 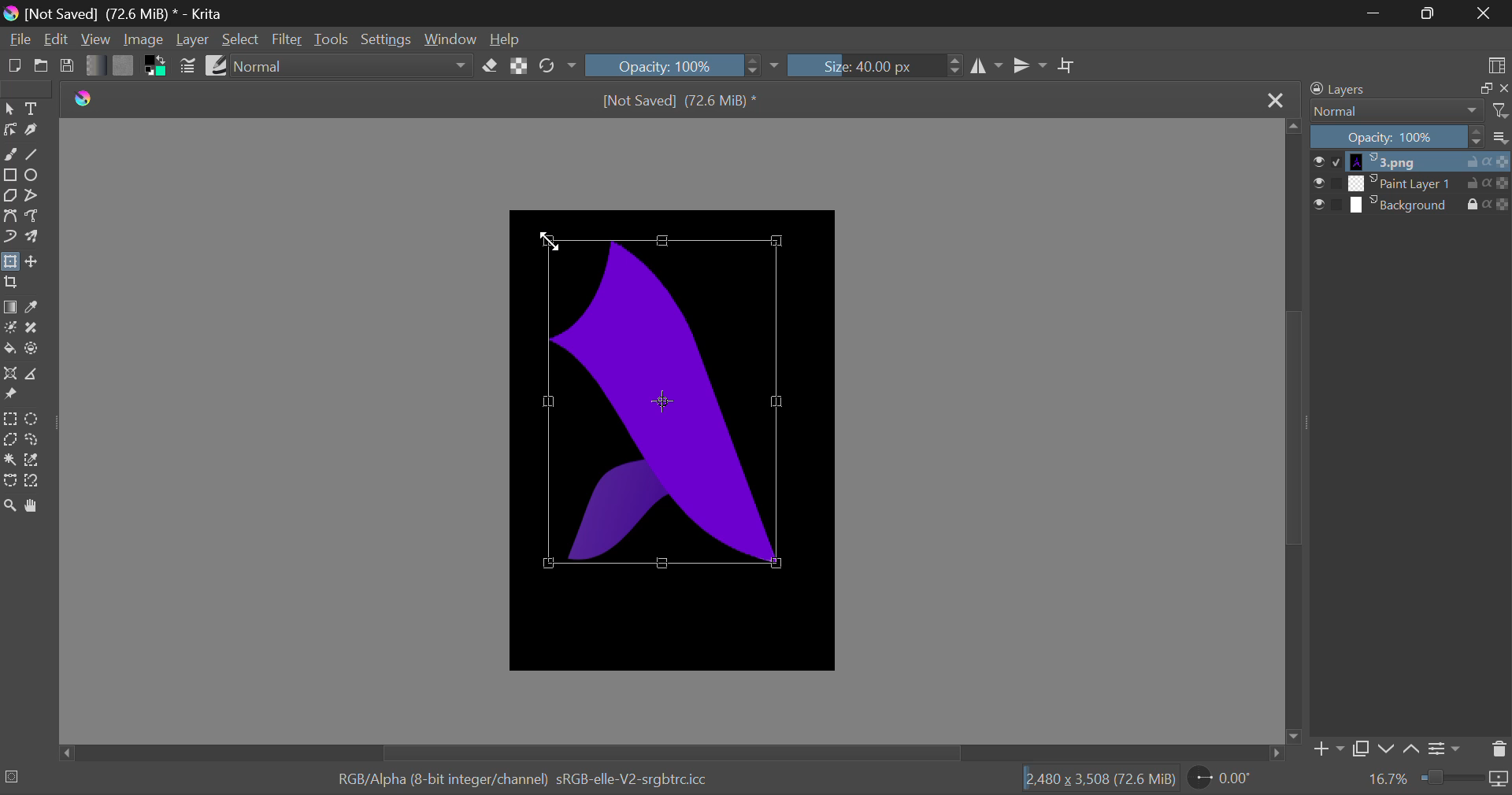 I want to click on Magnetic Curve Selection, so click(x=35, y=482).